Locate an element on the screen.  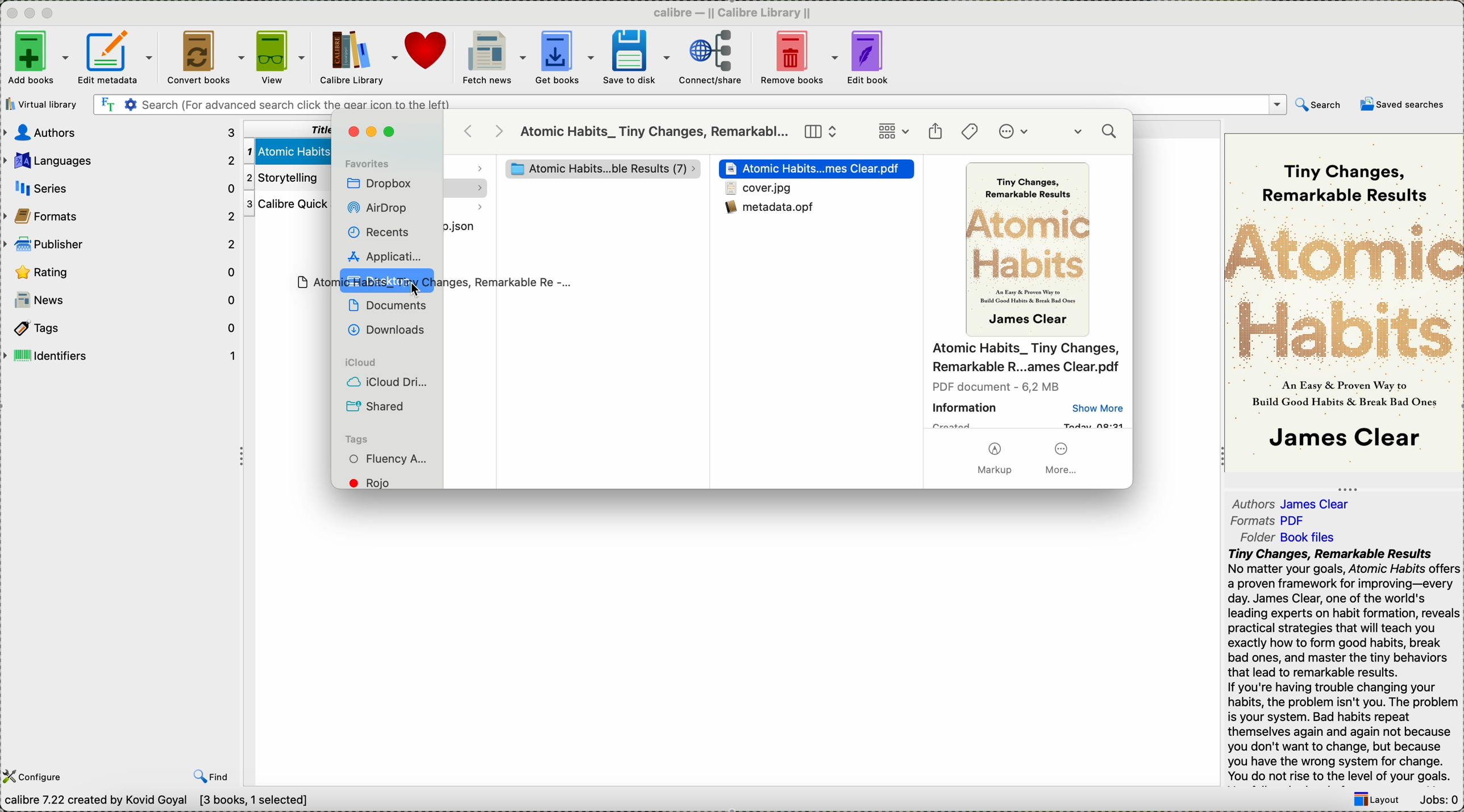
file name is located at coordinates (1026, 359).